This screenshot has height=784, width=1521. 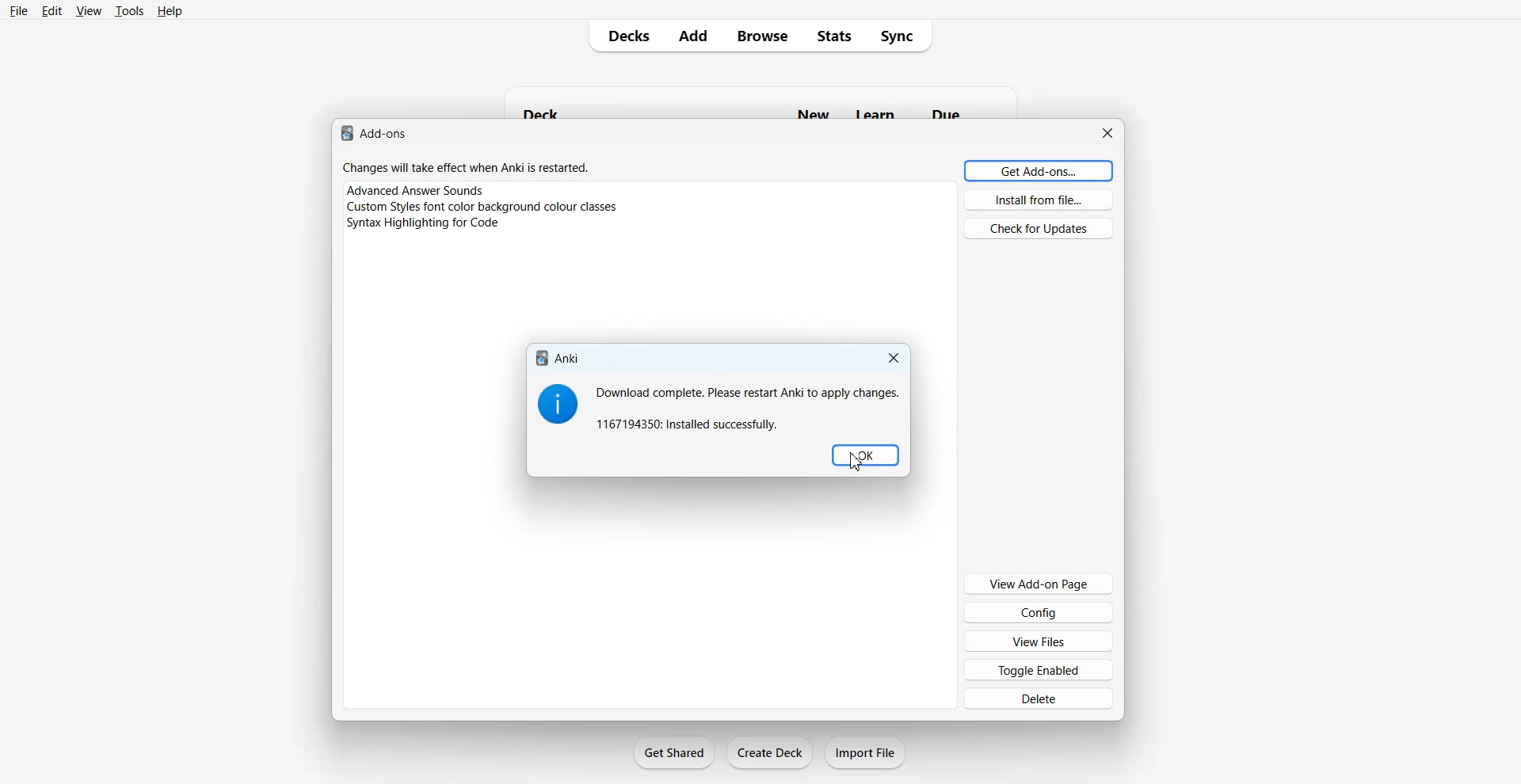 What do you see at coordinates (674, 752) in the screenshot?
I see `Get Shared` at bounding box center [674, 752].